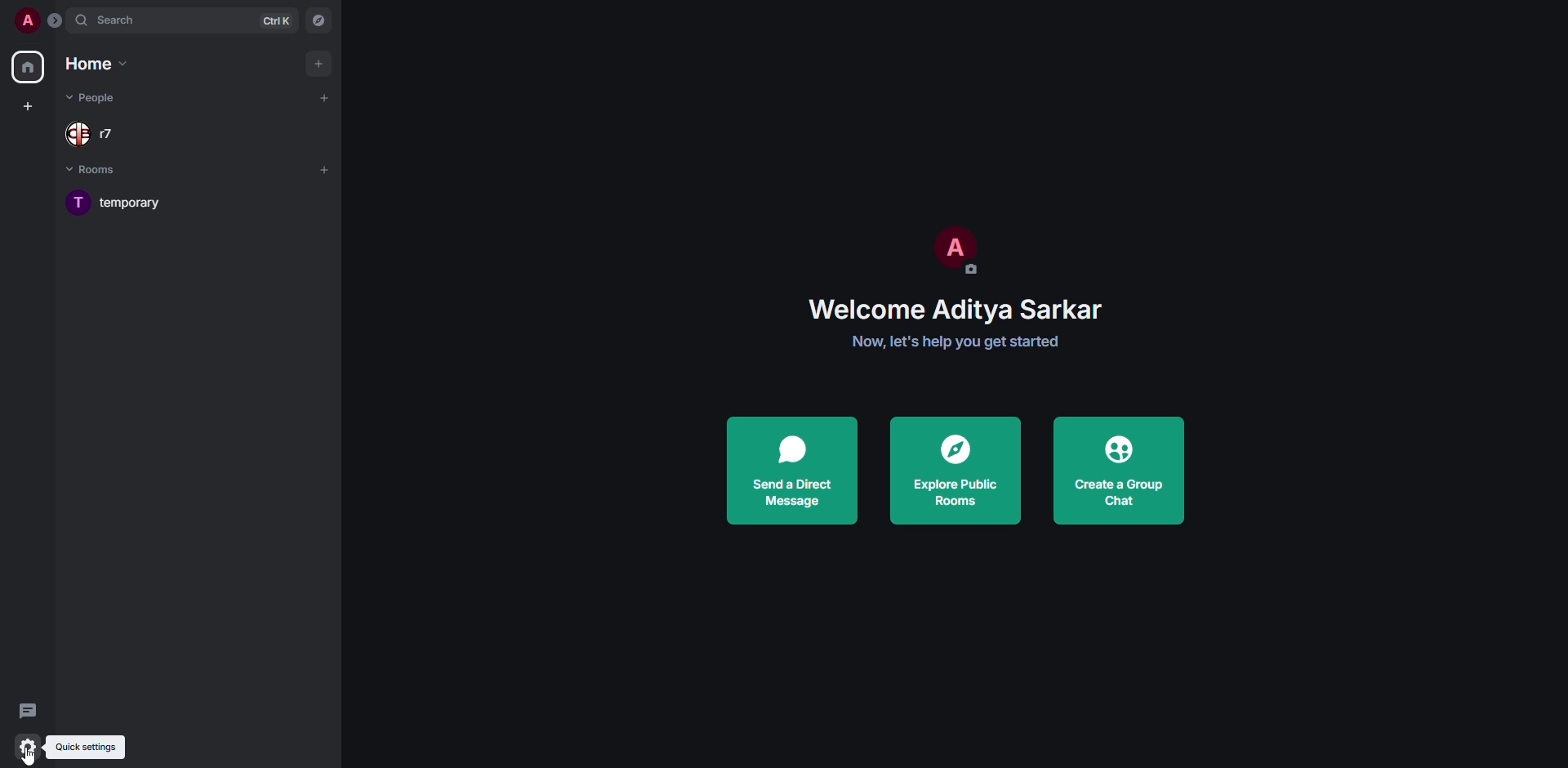 Image resolution: width=1568 pixels, height=768 pixels. What do you see at coordinates (324, 96) in the screenshot?
I see `add` at bounding box center [324, 96].